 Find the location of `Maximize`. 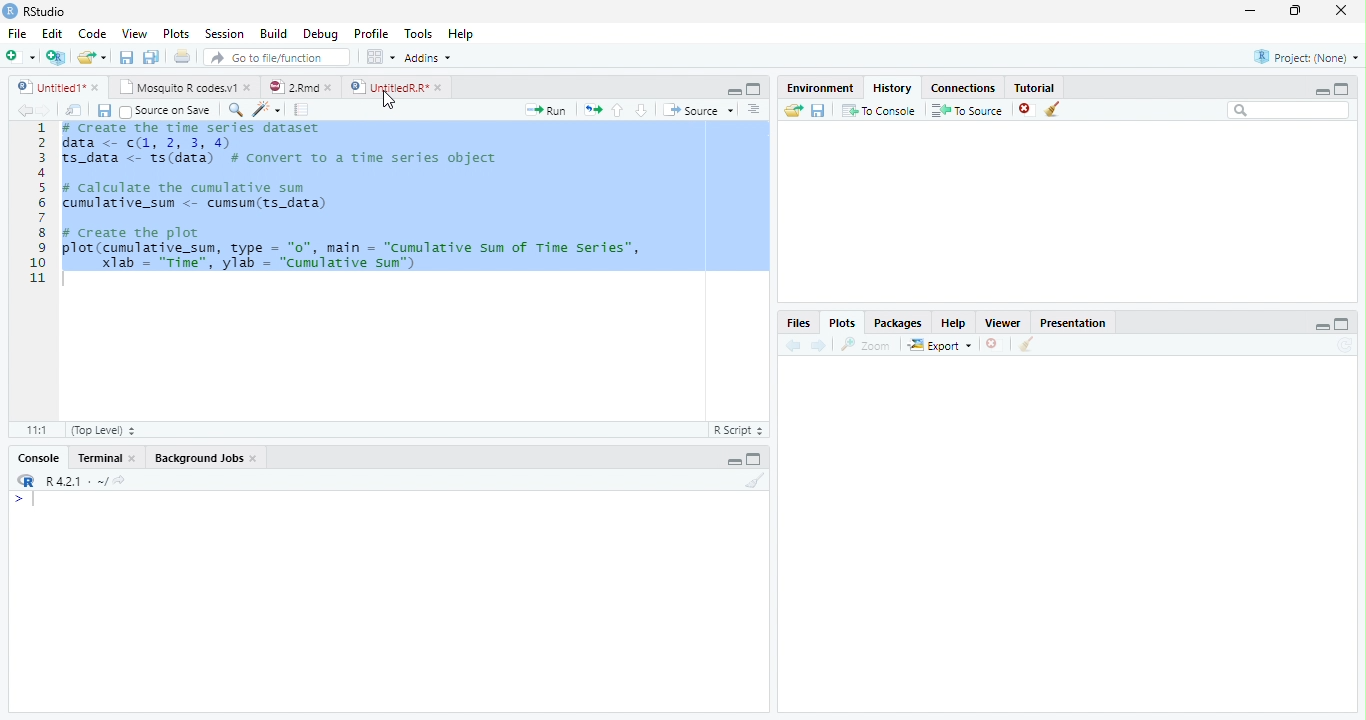

Maximize is located at coordinates (756, 460).